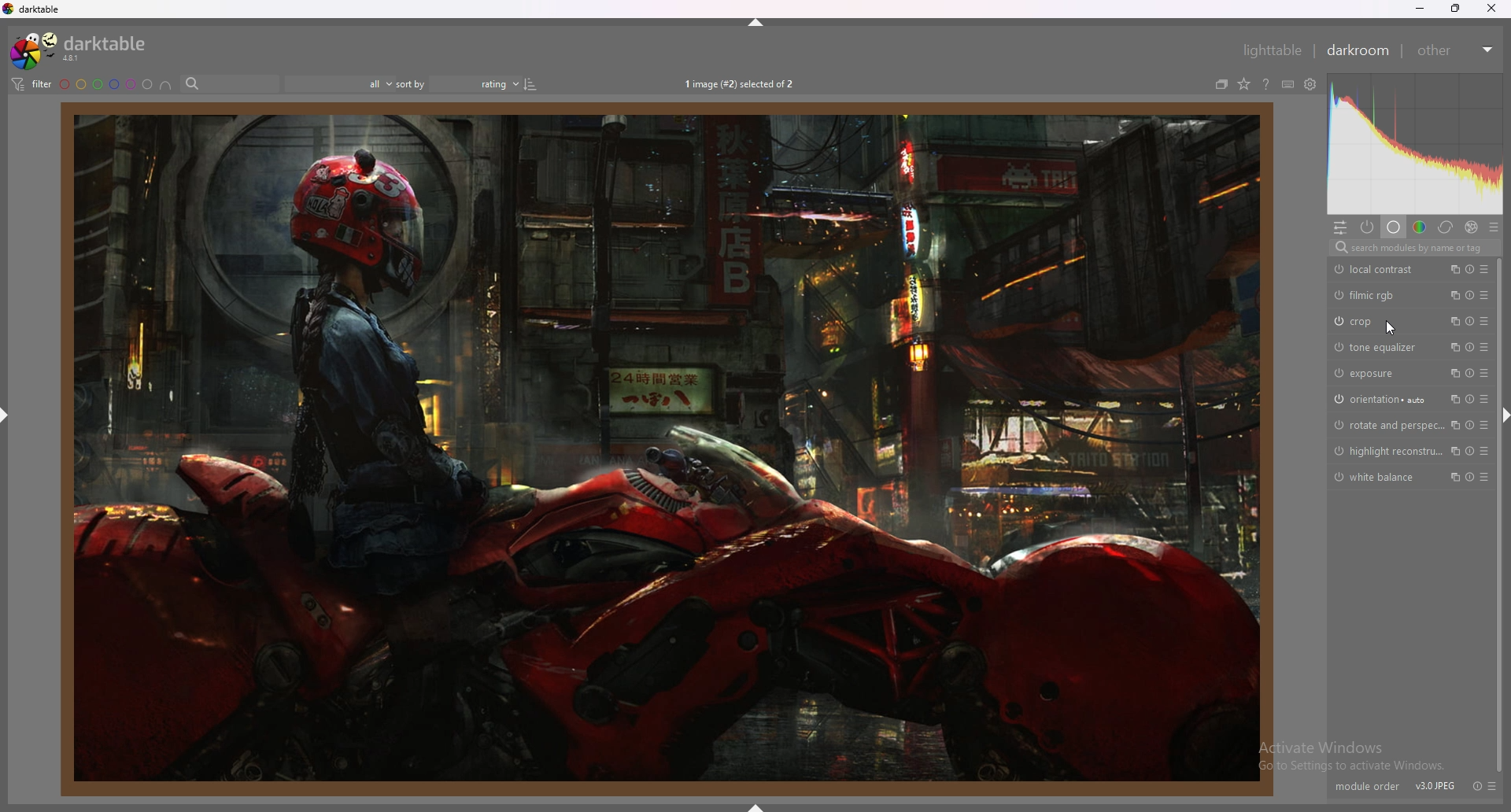 The width and height of the screenshot is (1511, 812). What do you see at coordinates (485, 83) in the screenshot?
I see `Sort order` at bounding box center [485, 83].